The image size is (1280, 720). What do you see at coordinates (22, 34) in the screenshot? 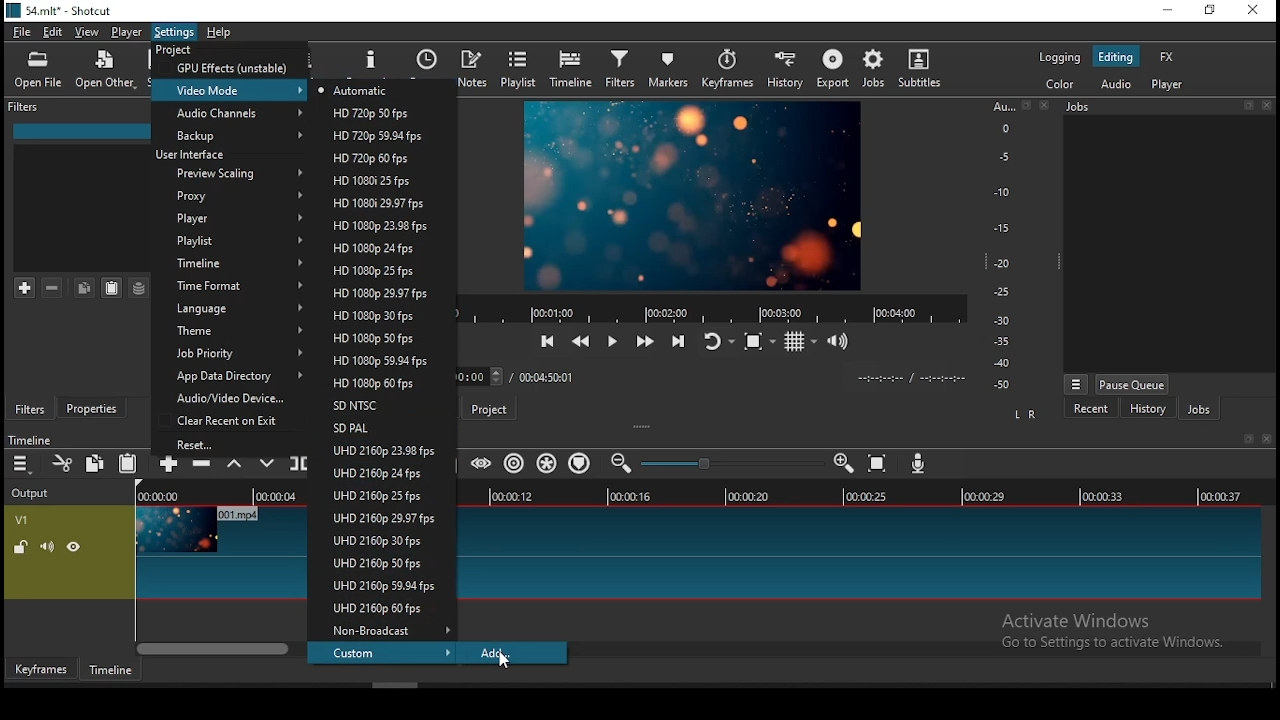
I see `file` at bounding box center [22, 34].